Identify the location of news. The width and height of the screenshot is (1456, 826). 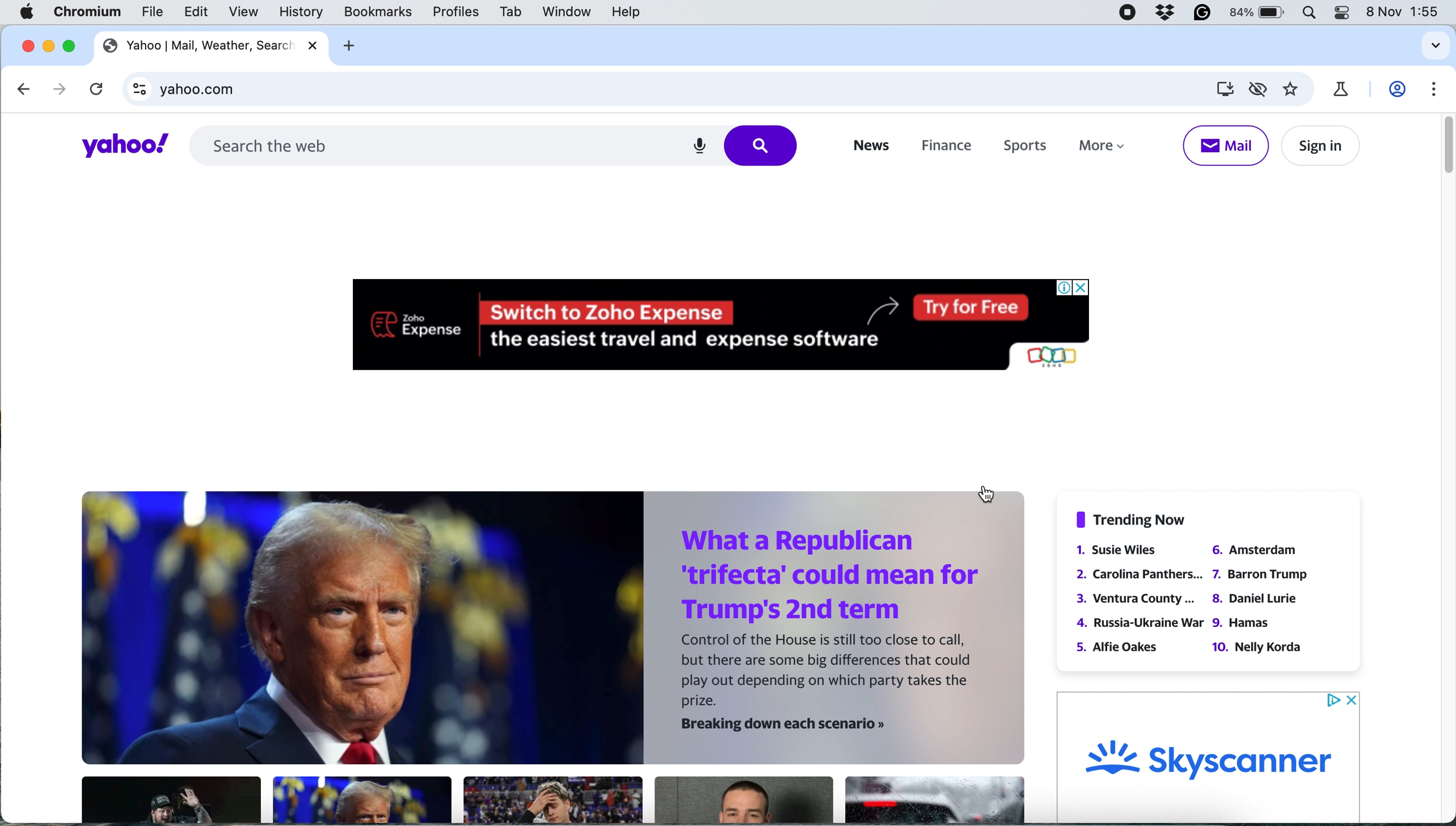
(868, 146).